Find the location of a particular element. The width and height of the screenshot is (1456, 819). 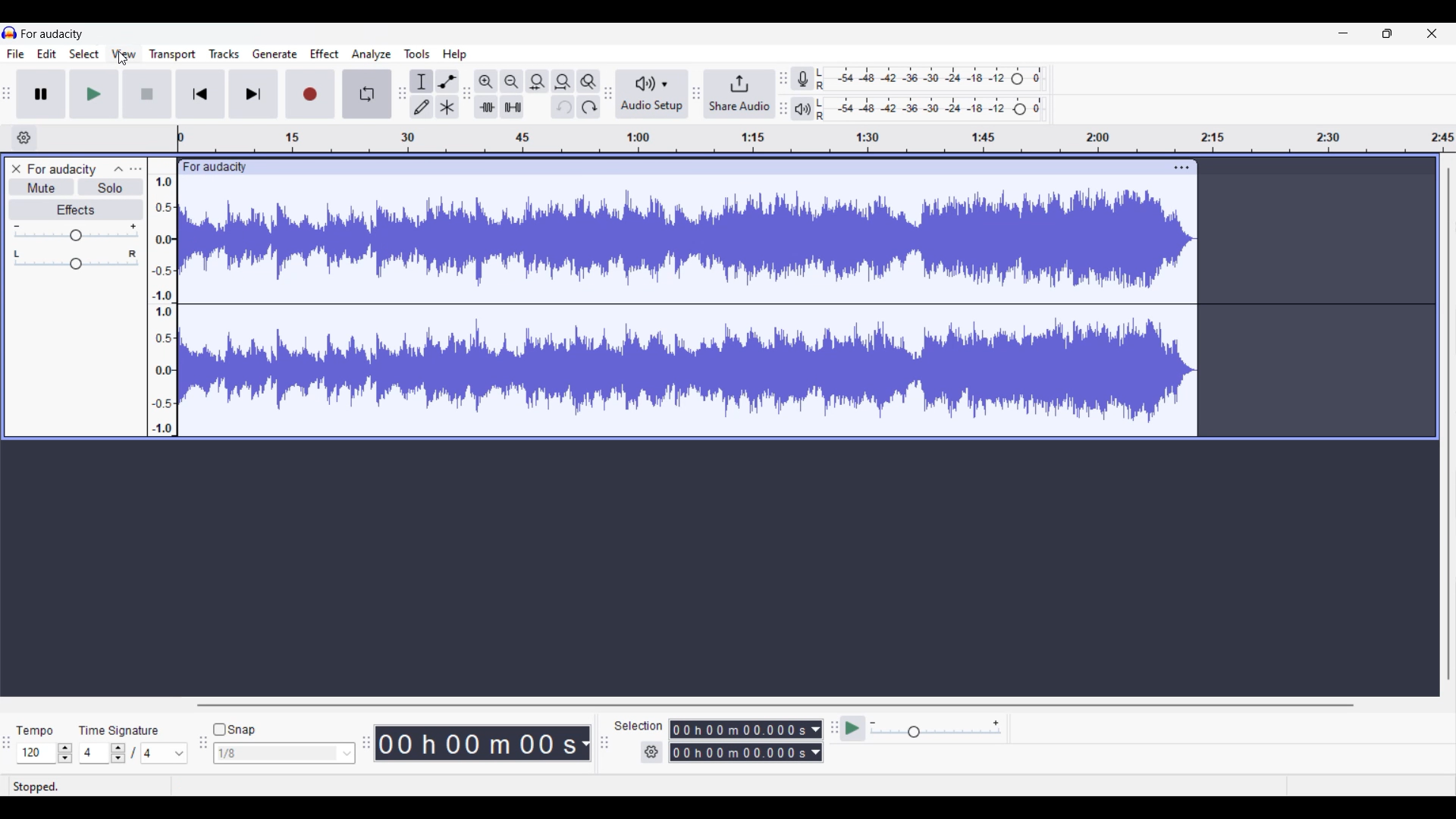

Close track is located at coordinates (17, 169).